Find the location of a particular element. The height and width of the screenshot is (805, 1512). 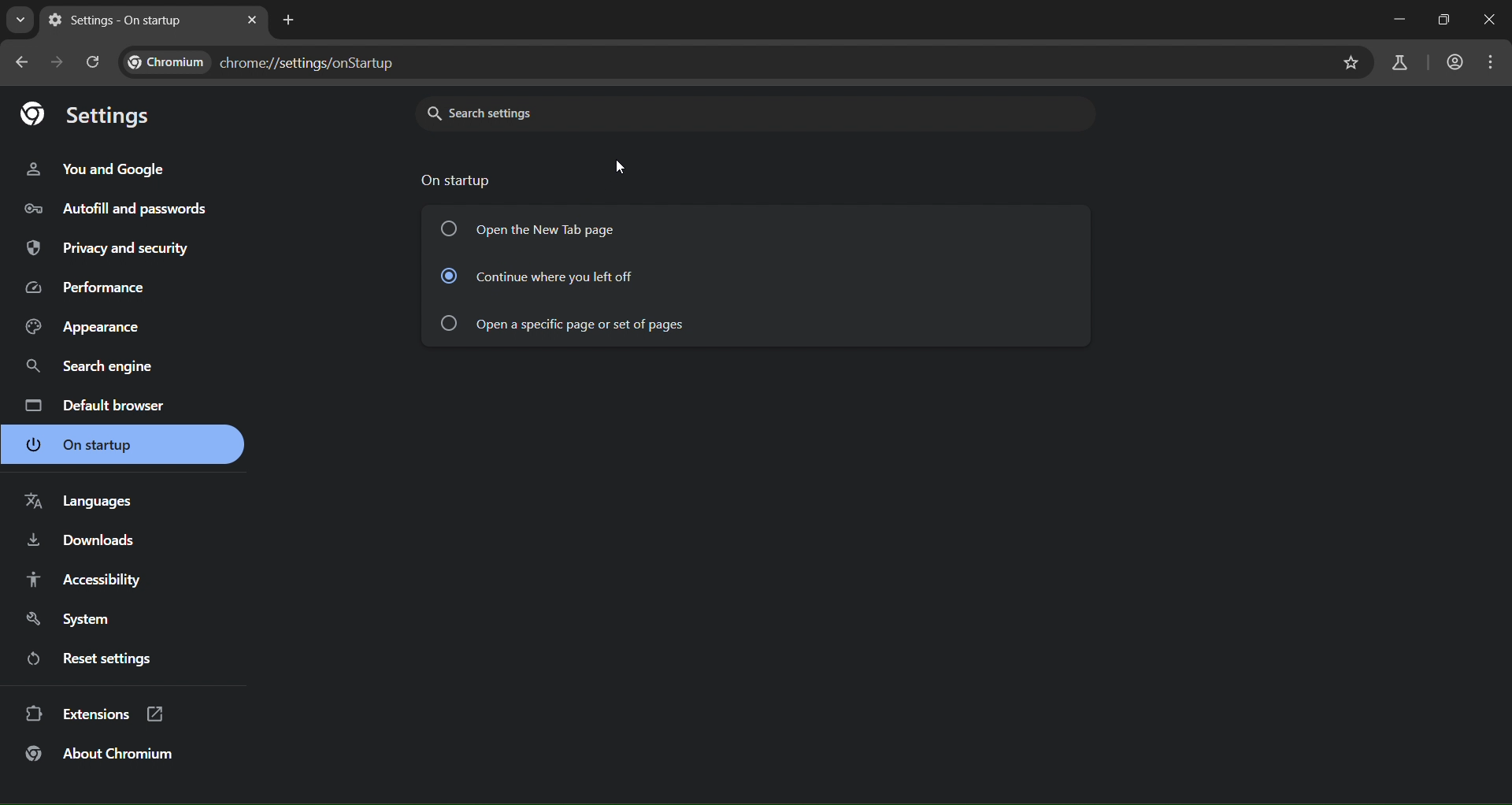

close is located at coordinates (1490, 20).